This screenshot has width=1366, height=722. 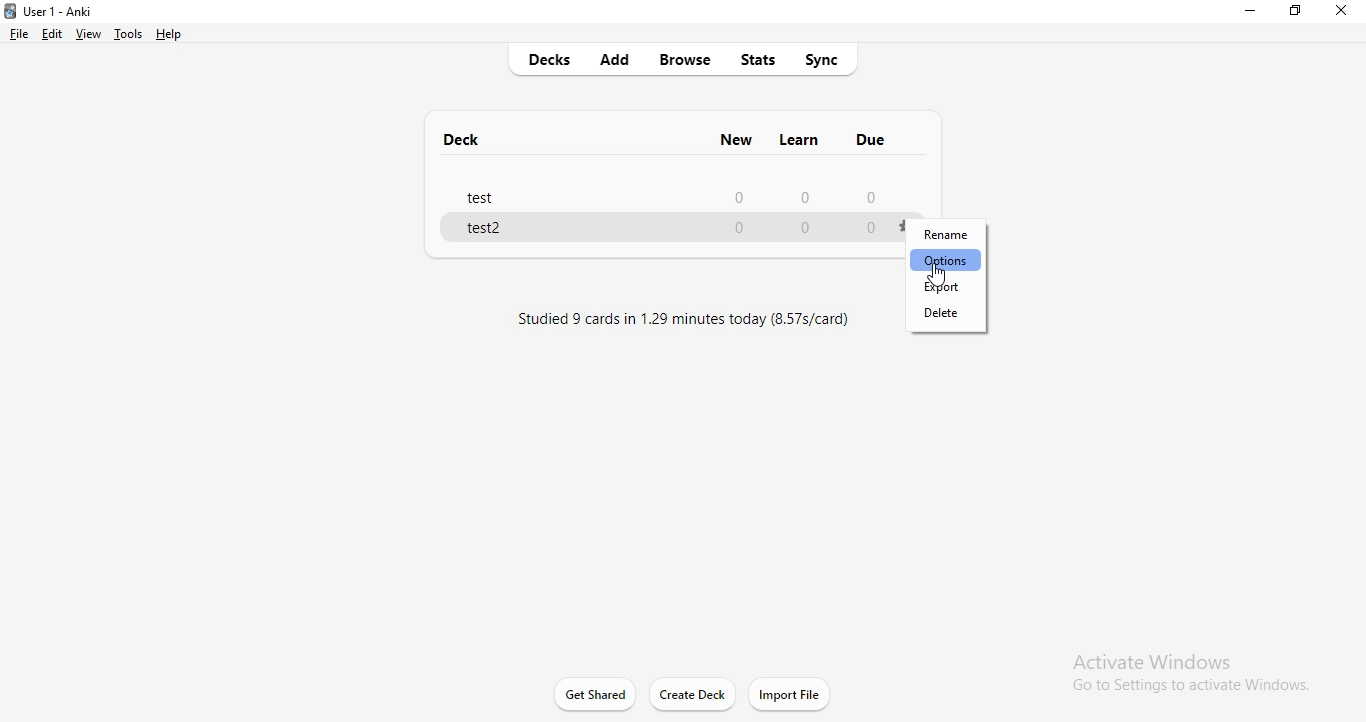 I want to click on file, so click(x=21, y=34).